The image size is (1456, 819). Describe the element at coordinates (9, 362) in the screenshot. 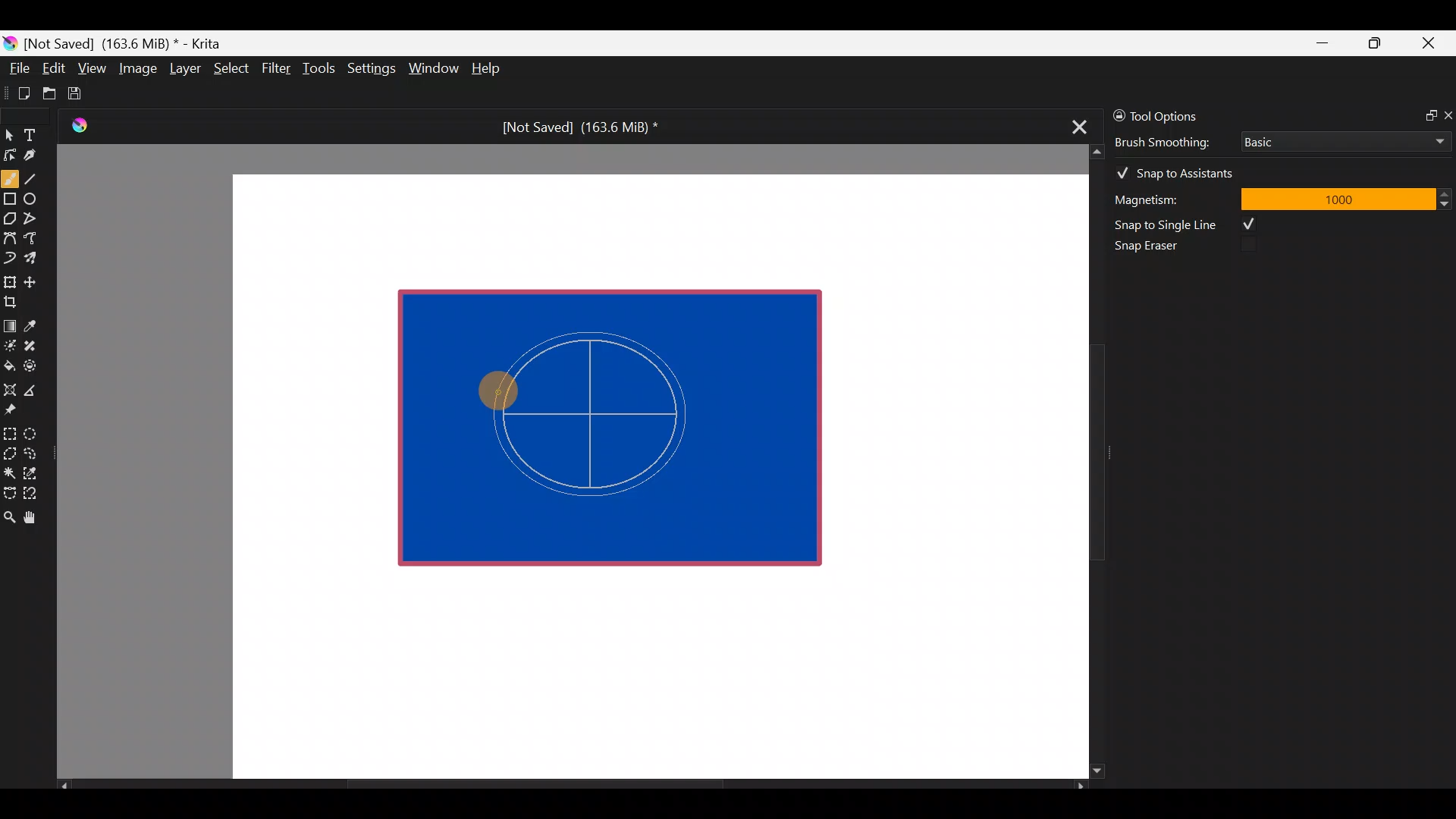

I see `Fill a contiguous area of colour with colour/fill a selection` at that location.